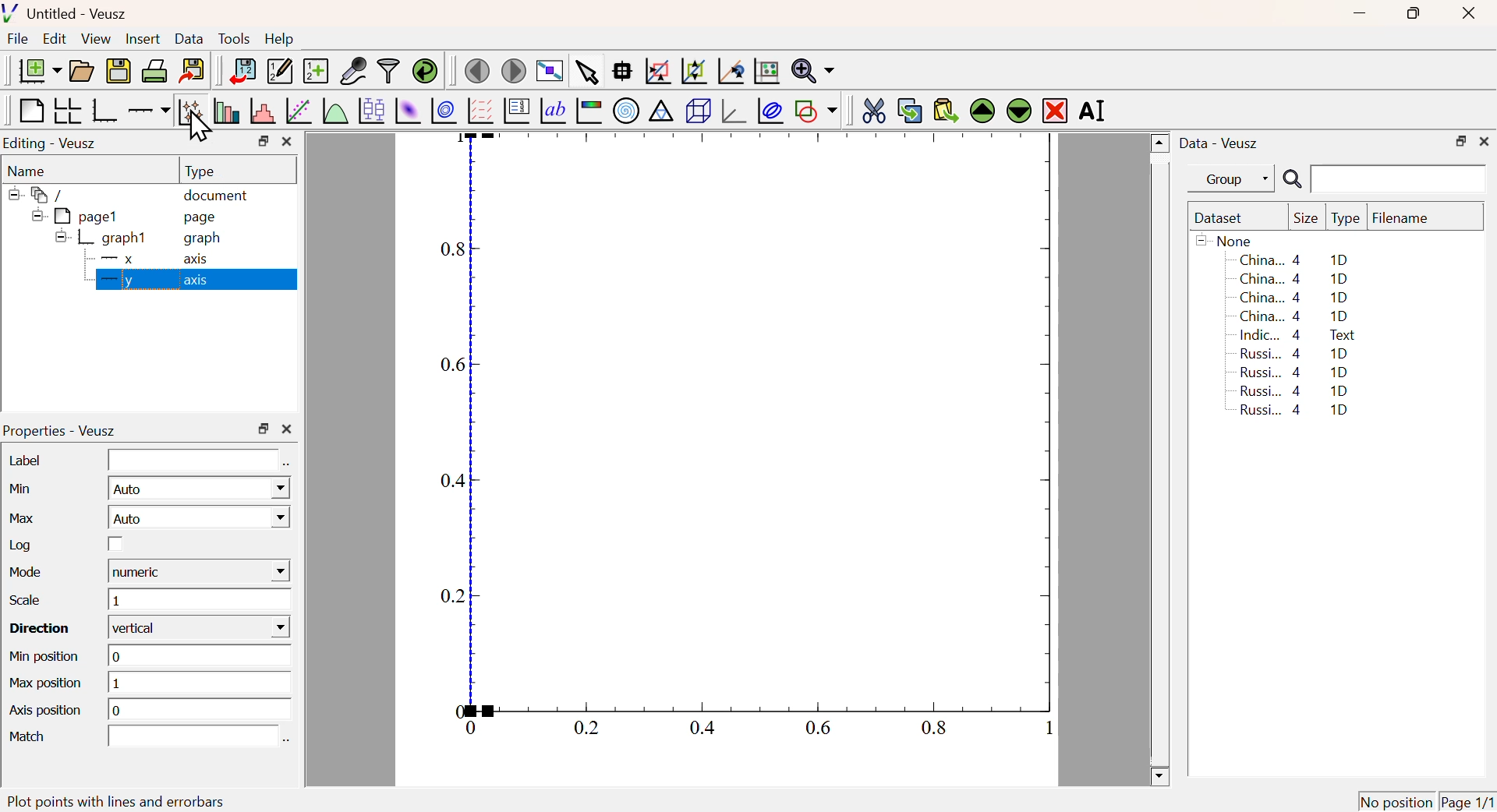 This screenshot has height=812, width=1497. Describe the element at coordinates (1360, 14) in the screenshot. I see `Minimize` at that location.